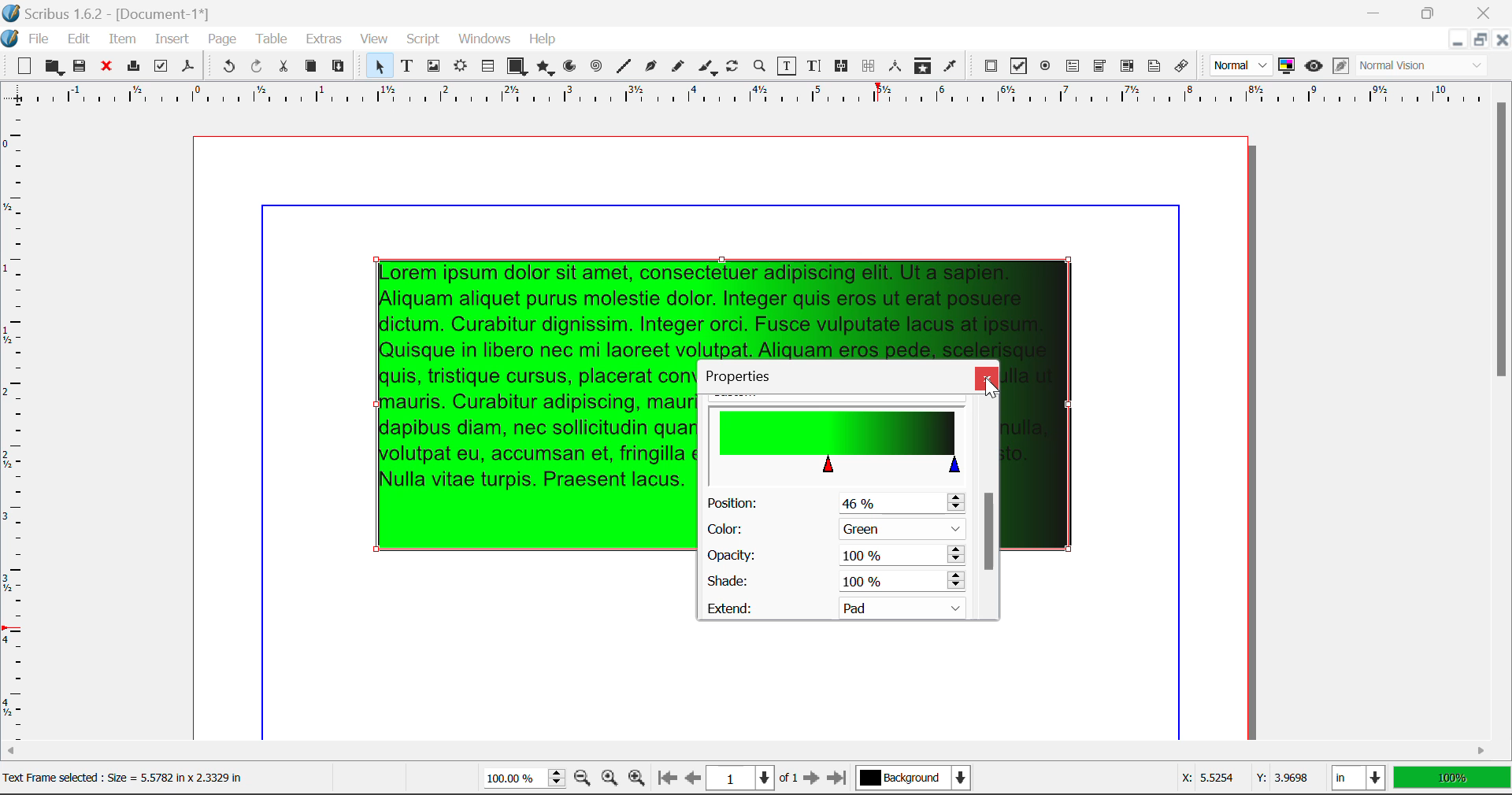  I want to click on Position Altered, so click(839, 503).